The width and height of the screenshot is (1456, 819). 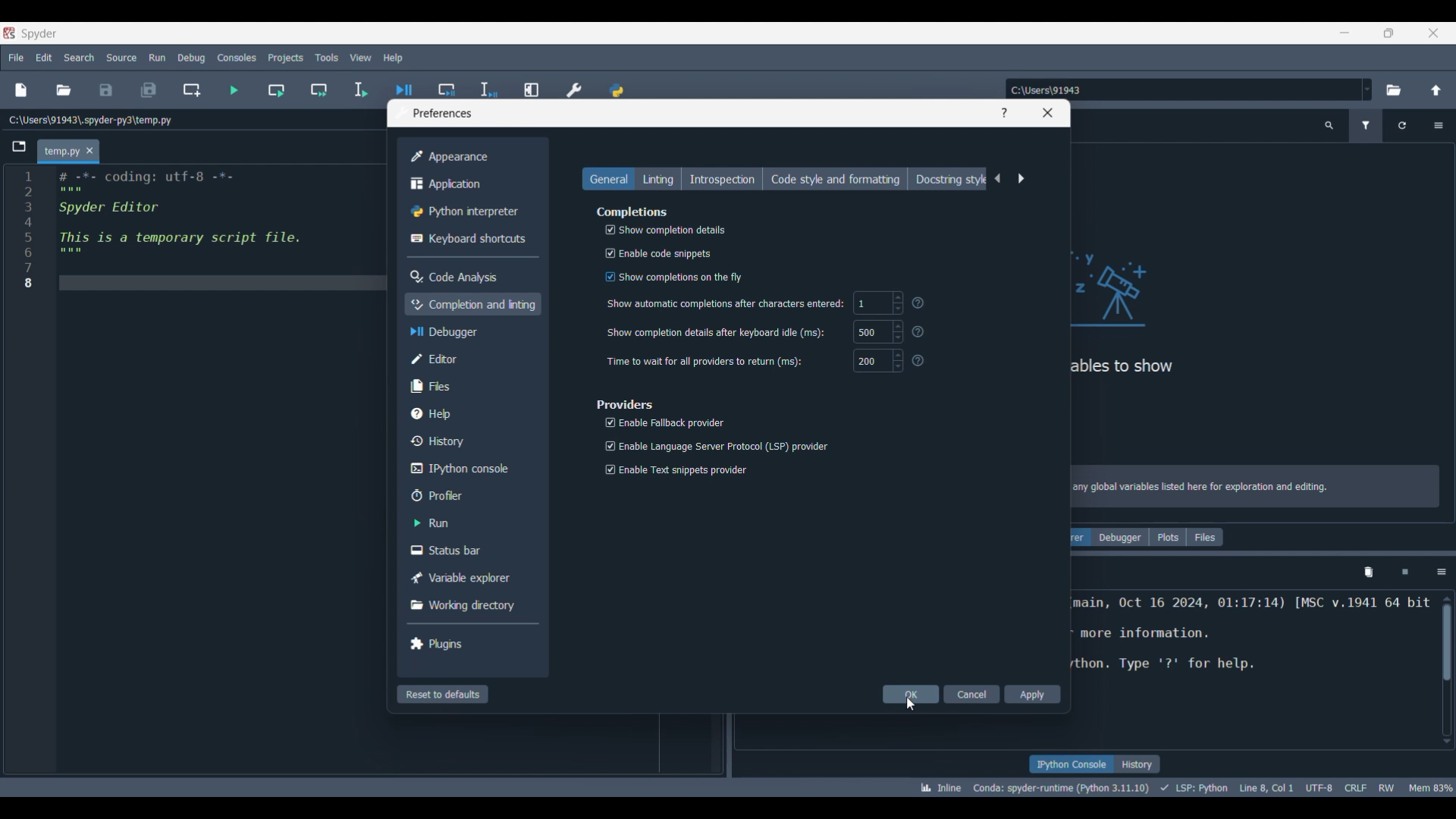 I want to click on Scrollbar, so click(x=1447, y=651).